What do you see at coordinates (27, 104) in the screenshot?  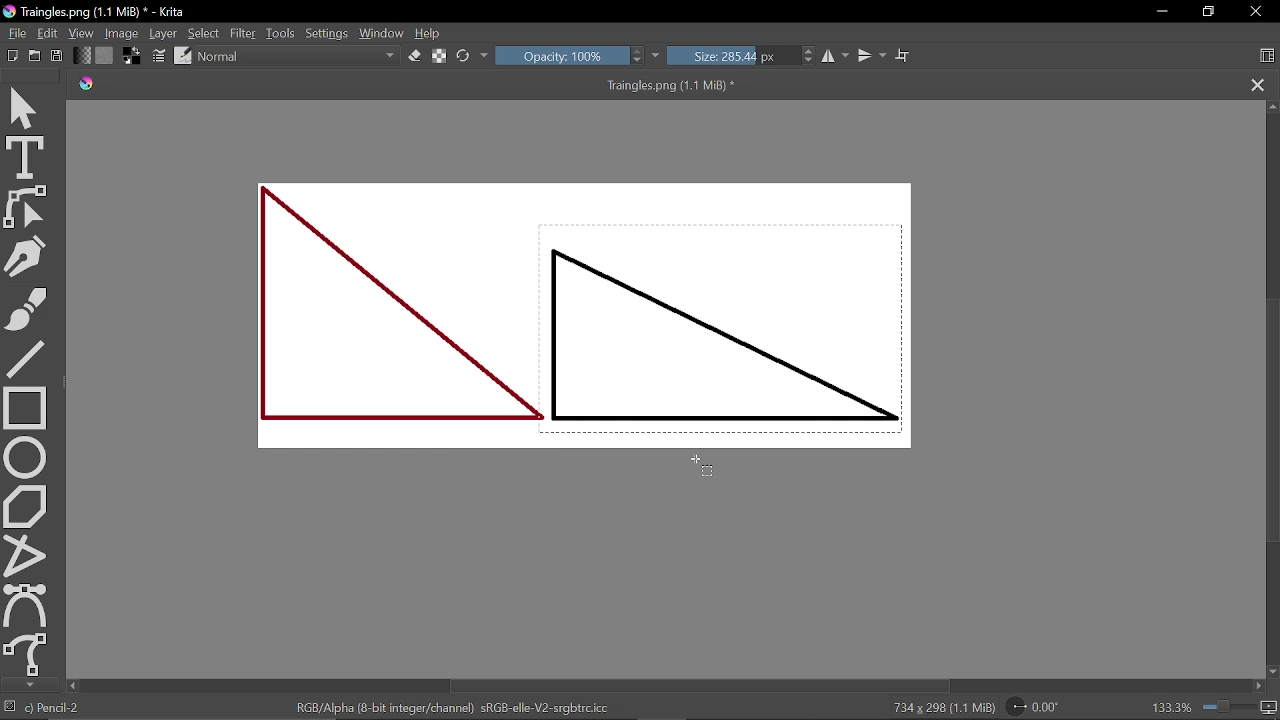 I see `Move` at bounding box center [27, 104].